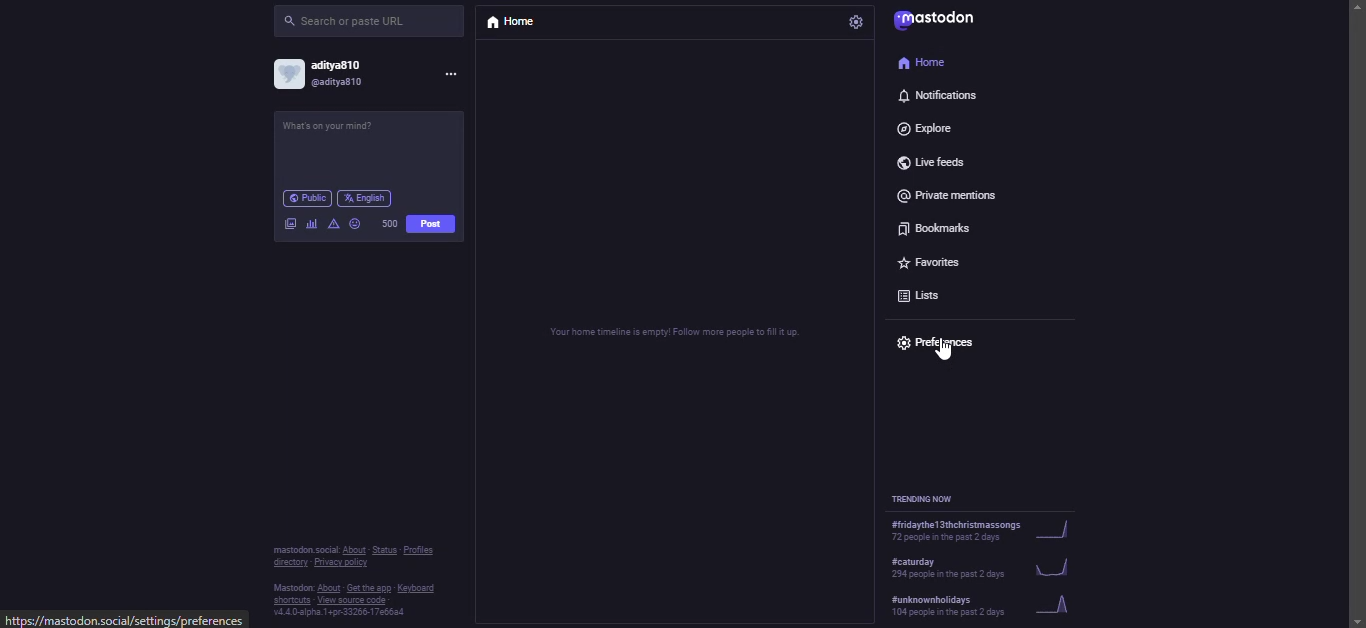  What do you see at coordinates (456, 74) in the screenshot?
I see `more` at bounding box center [456, 74].